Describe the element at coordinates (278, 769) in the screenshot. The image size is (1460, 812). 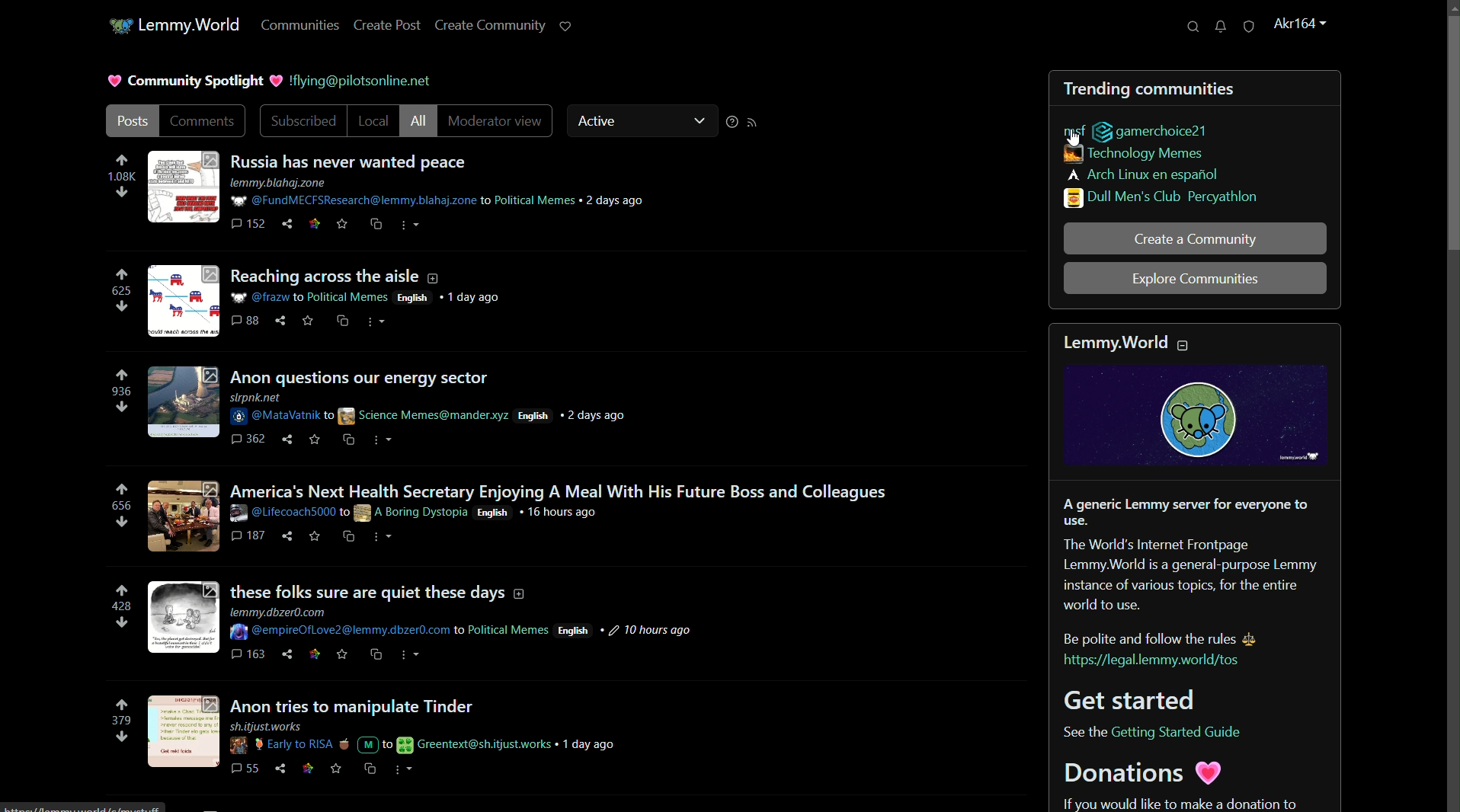
I see `share` at that location.